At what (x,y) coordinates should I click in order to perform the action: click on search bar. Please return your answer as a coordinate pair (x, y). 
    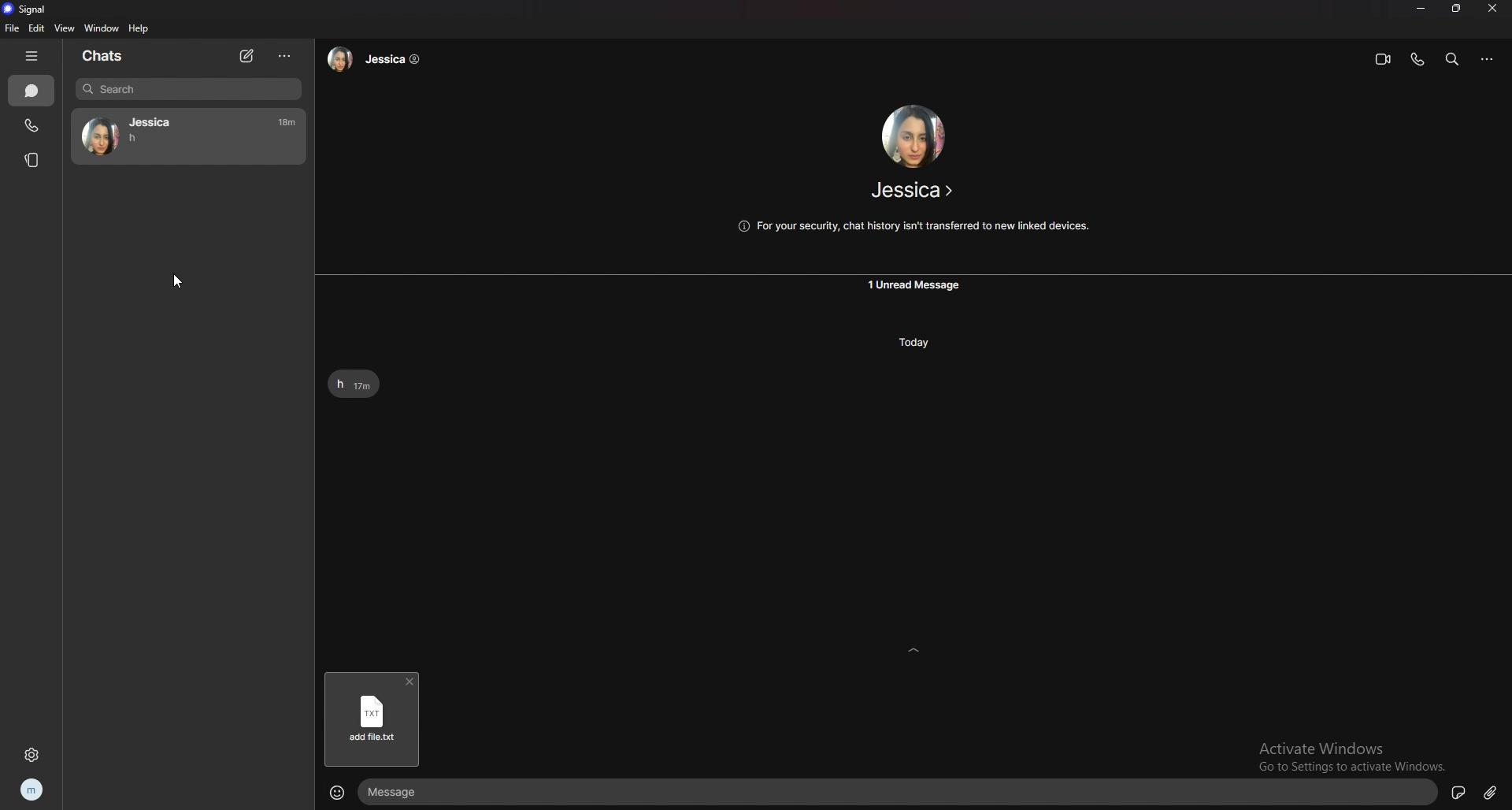
    Looking at the image, I should click on (190, 89).